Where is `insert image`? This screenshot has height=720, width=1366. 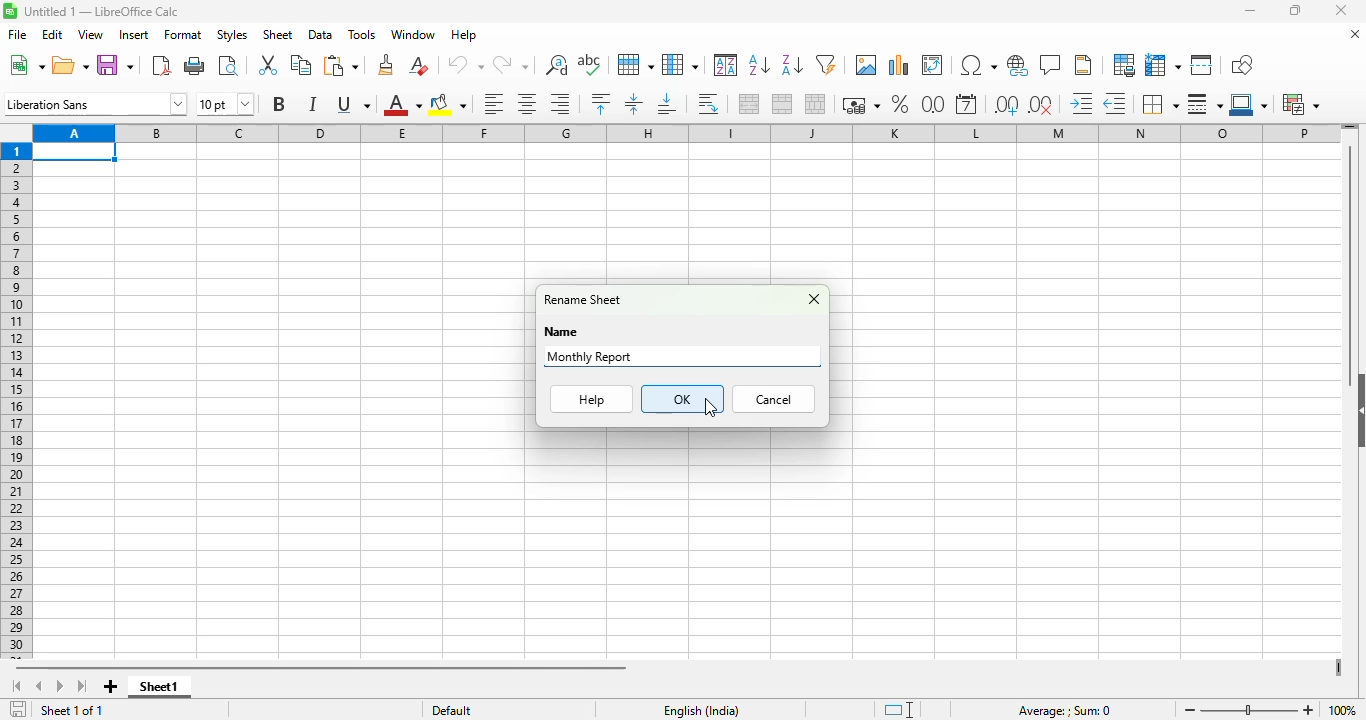
insert image is located at coordinates (865, 64).